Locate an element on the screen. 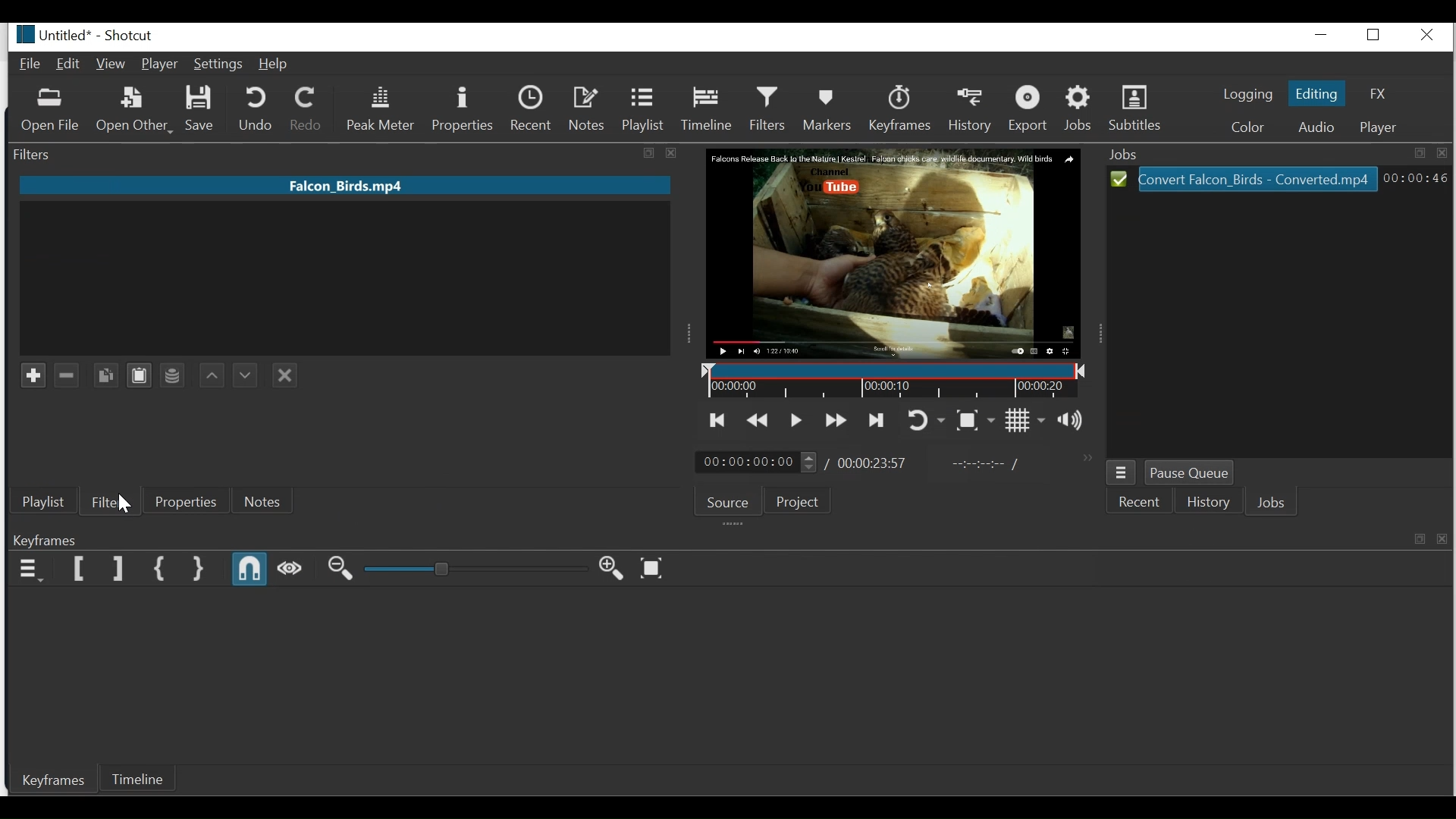  Edit is located at coordinates (69, 64).